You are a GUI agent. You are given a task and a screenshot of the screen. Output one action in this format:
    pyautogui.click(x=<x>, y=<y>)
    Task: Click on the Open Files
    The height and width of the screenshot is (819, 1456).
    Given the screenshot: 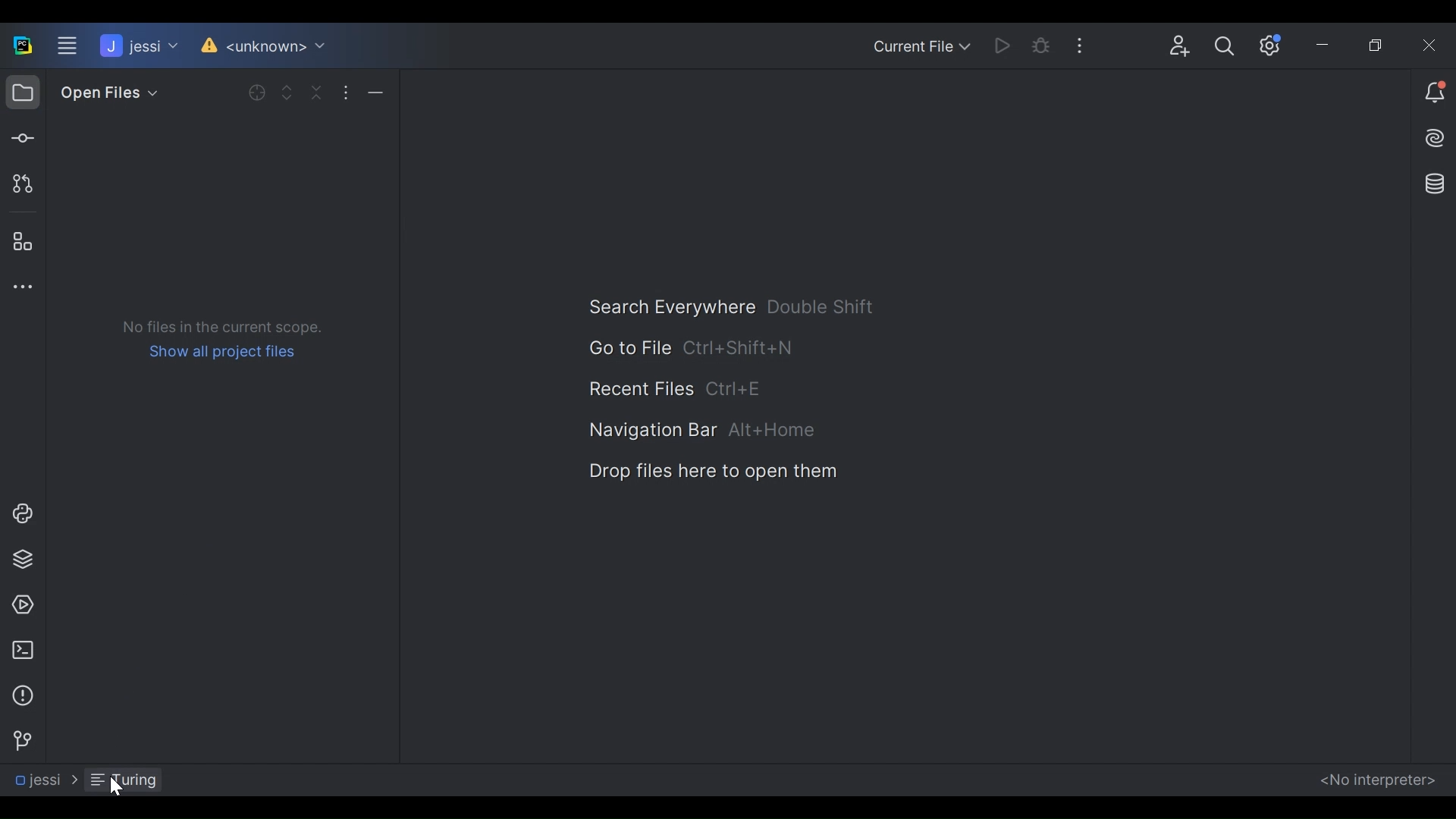 What is the action you would take?
    pyautogui.click(x=105, y=92)
    